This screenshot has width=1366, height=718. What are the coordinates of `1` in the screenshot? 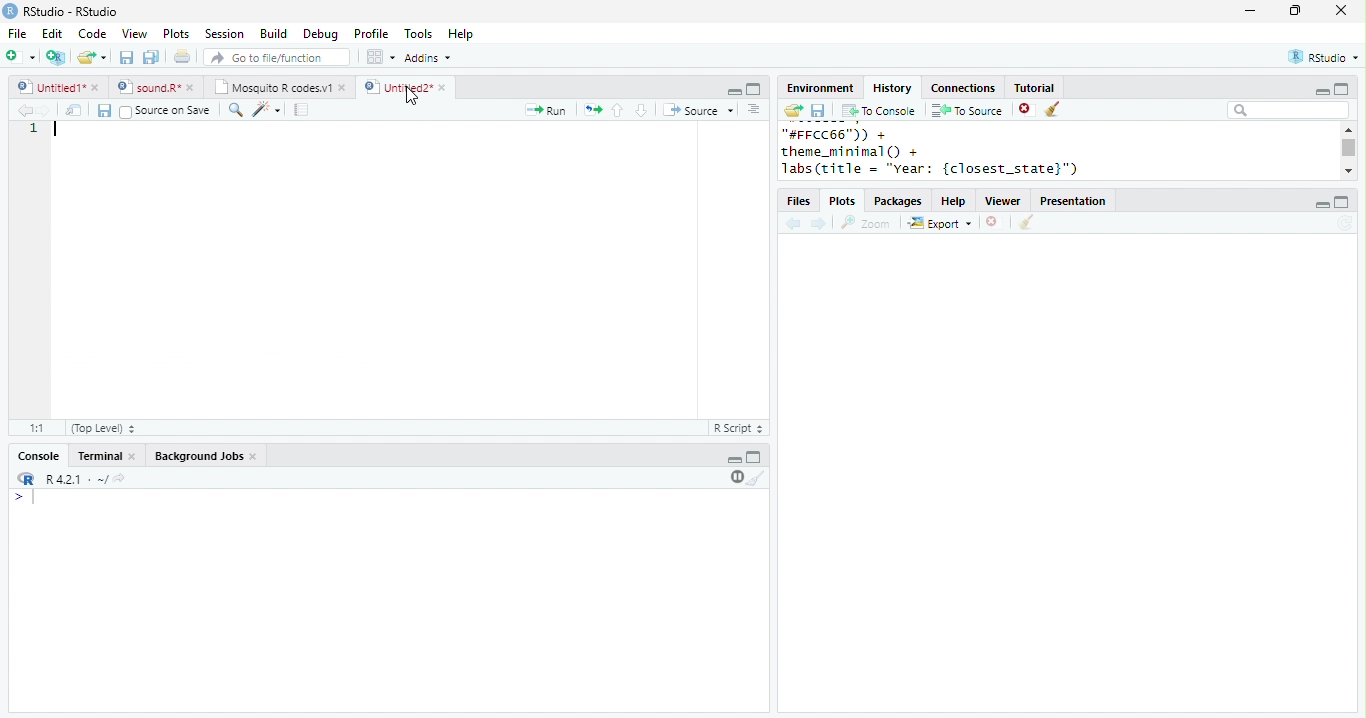 It's located at (35, 128).